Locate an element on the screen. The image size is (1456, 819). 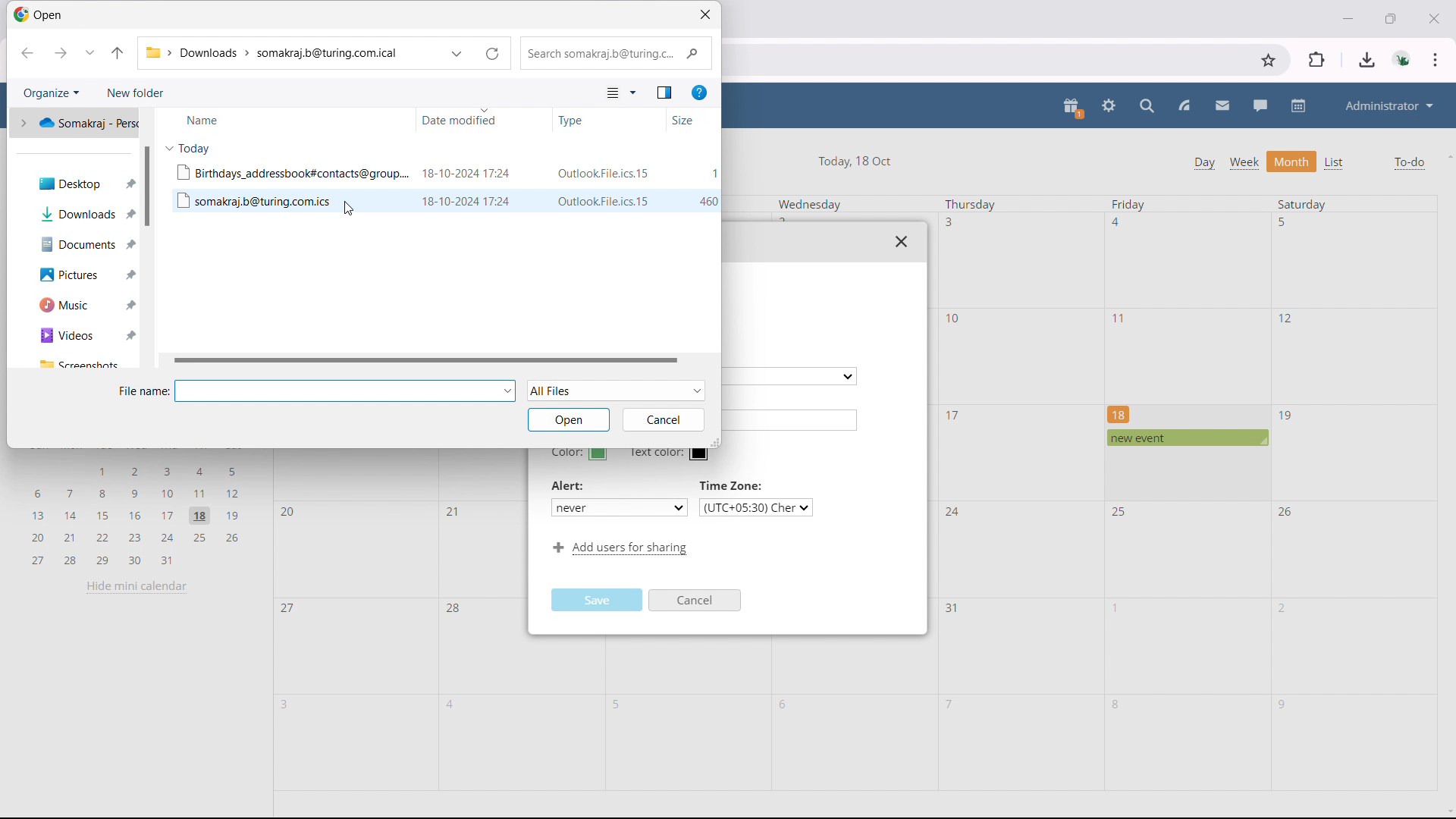
extensions is located at coordinates (1318, 59).